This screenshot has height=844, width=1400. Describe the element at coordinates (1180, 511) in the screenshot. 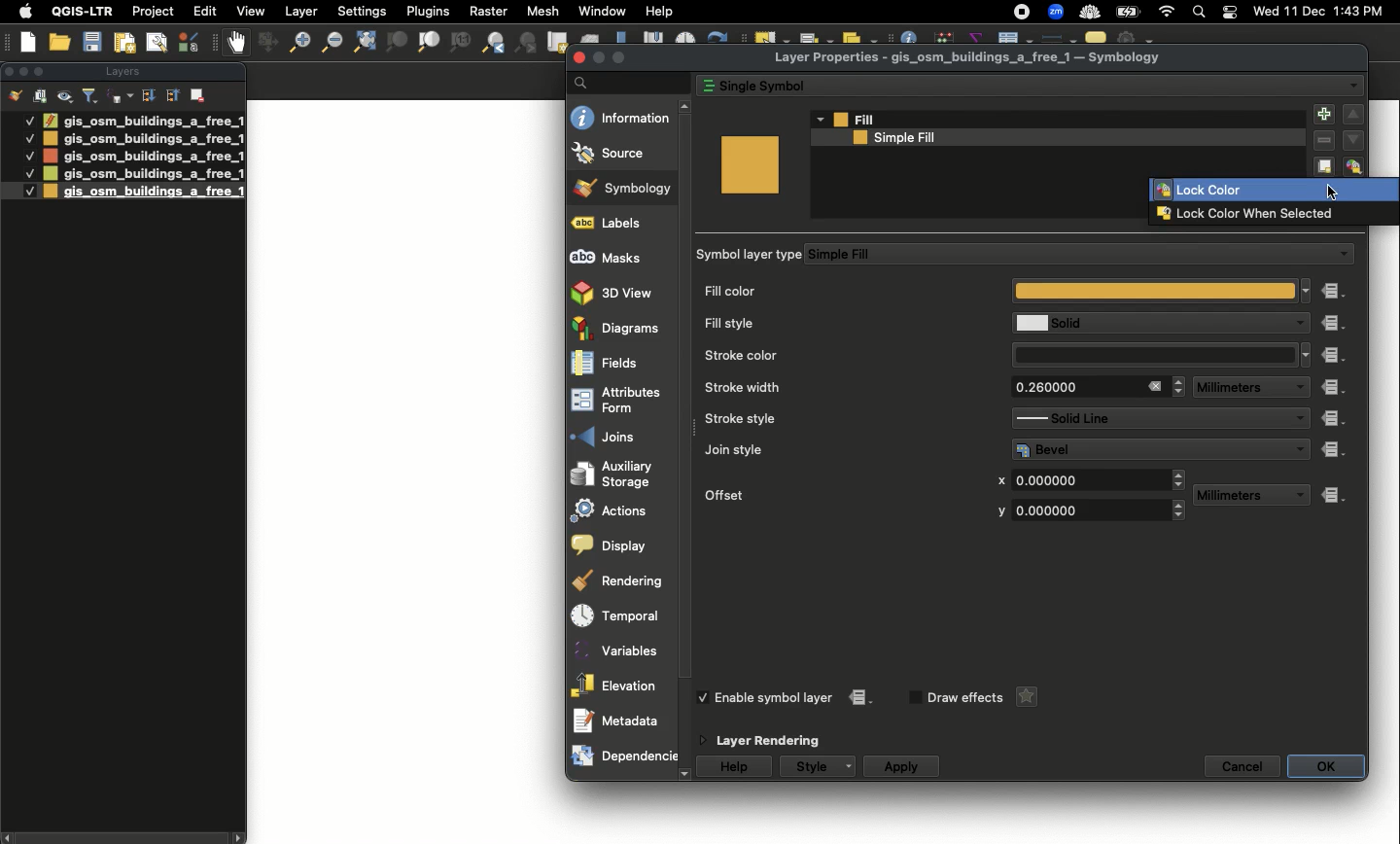

I see `Drop down` at that location.